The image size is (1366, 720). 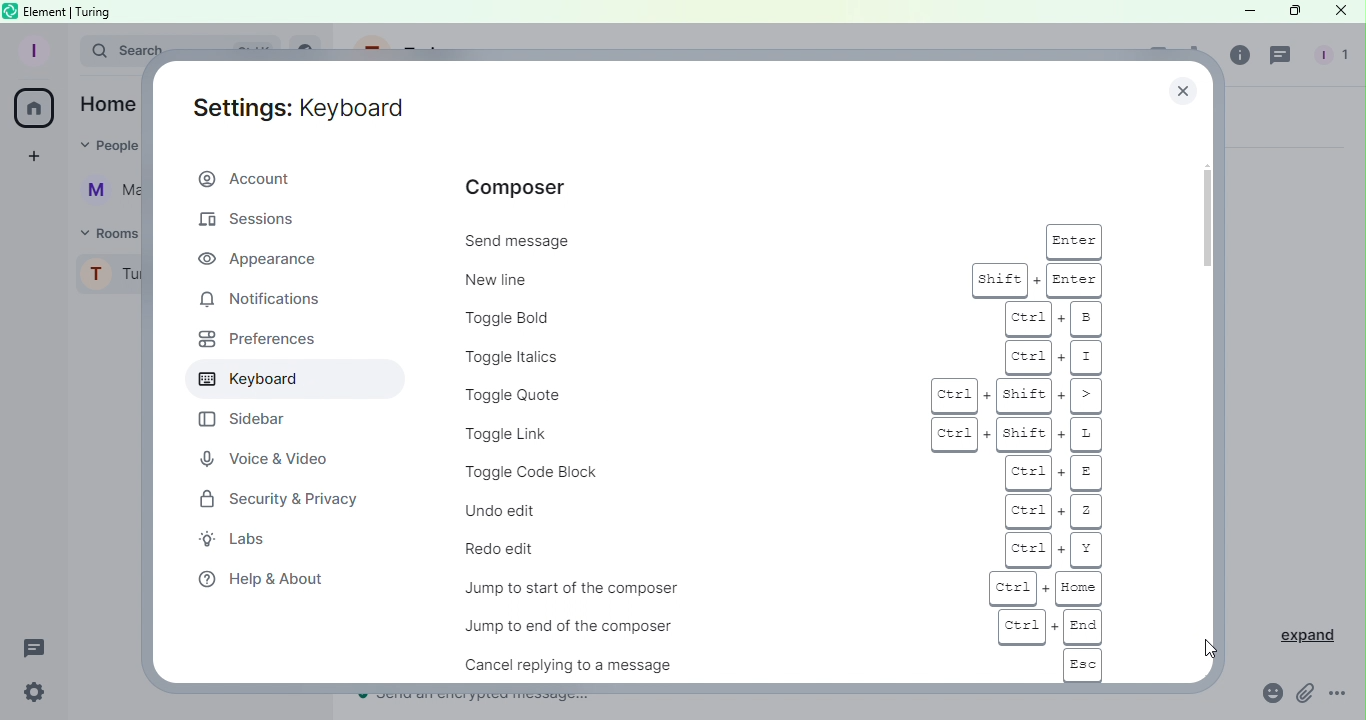 What do you see at coordinates (33, 110) in the screenshot?
I see `Home` at bounding box center [33, 110].